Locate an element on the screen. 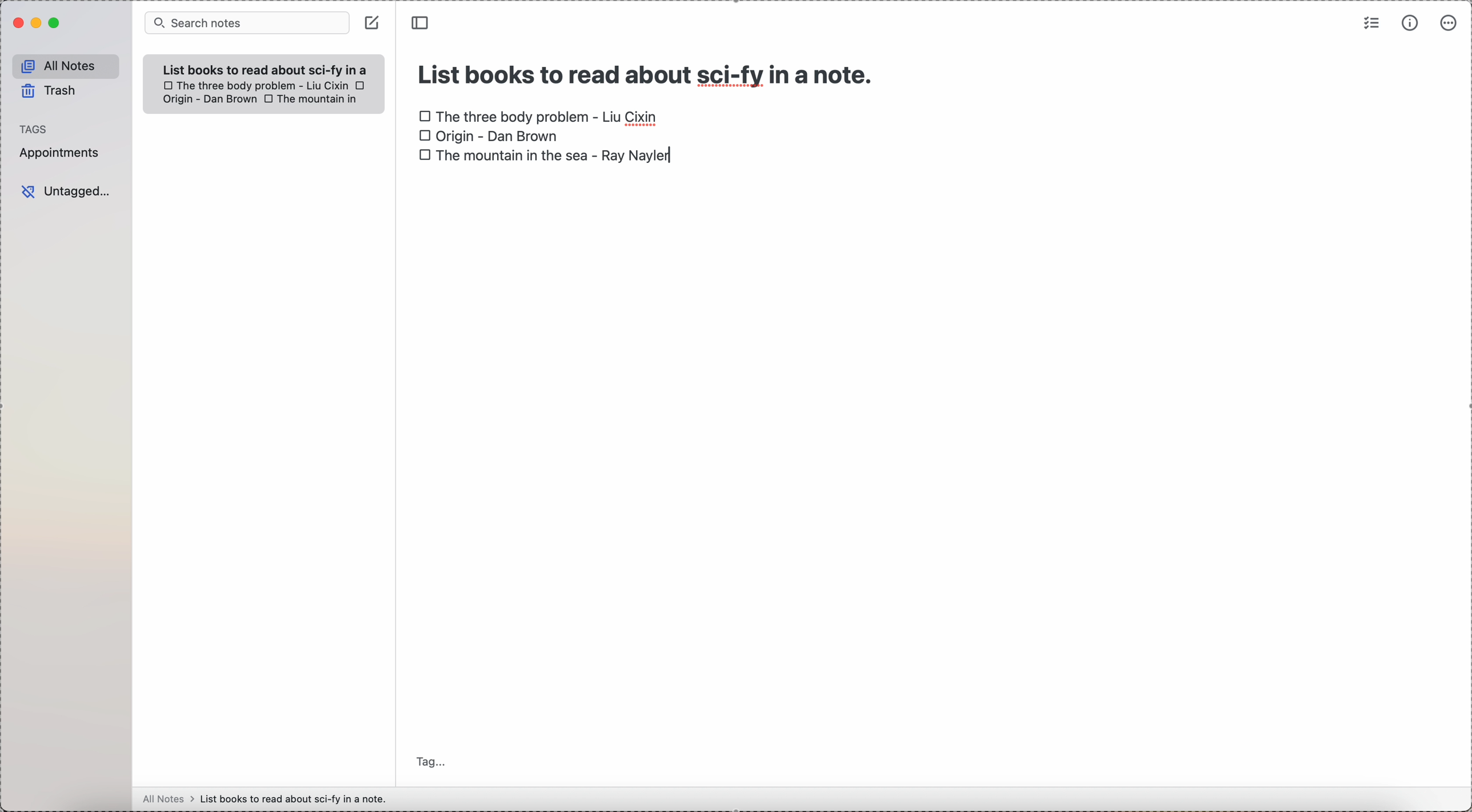  Origin - Dan Brown is located at coordinates (208, 100).